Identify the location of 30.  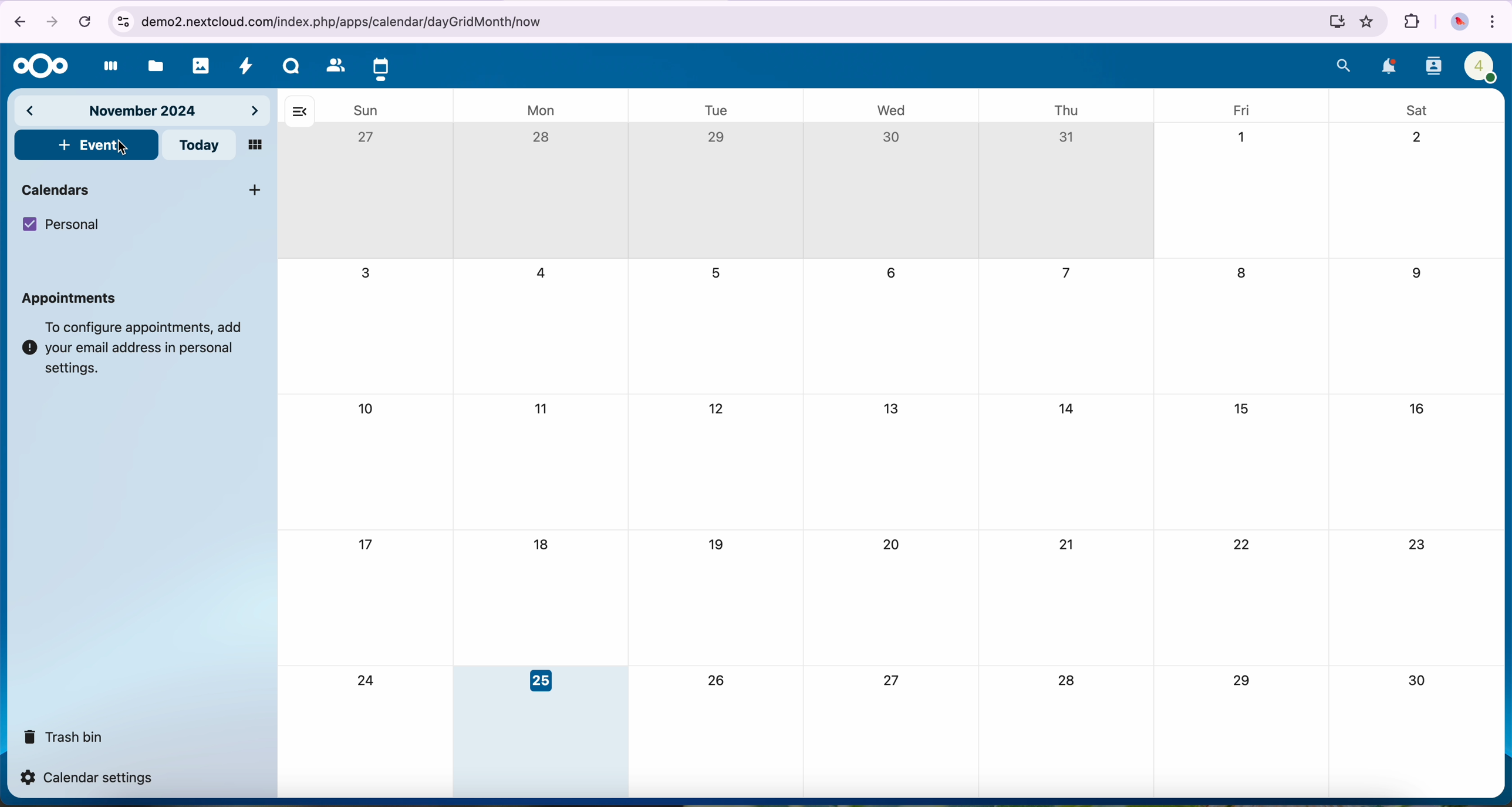
(891, 137).